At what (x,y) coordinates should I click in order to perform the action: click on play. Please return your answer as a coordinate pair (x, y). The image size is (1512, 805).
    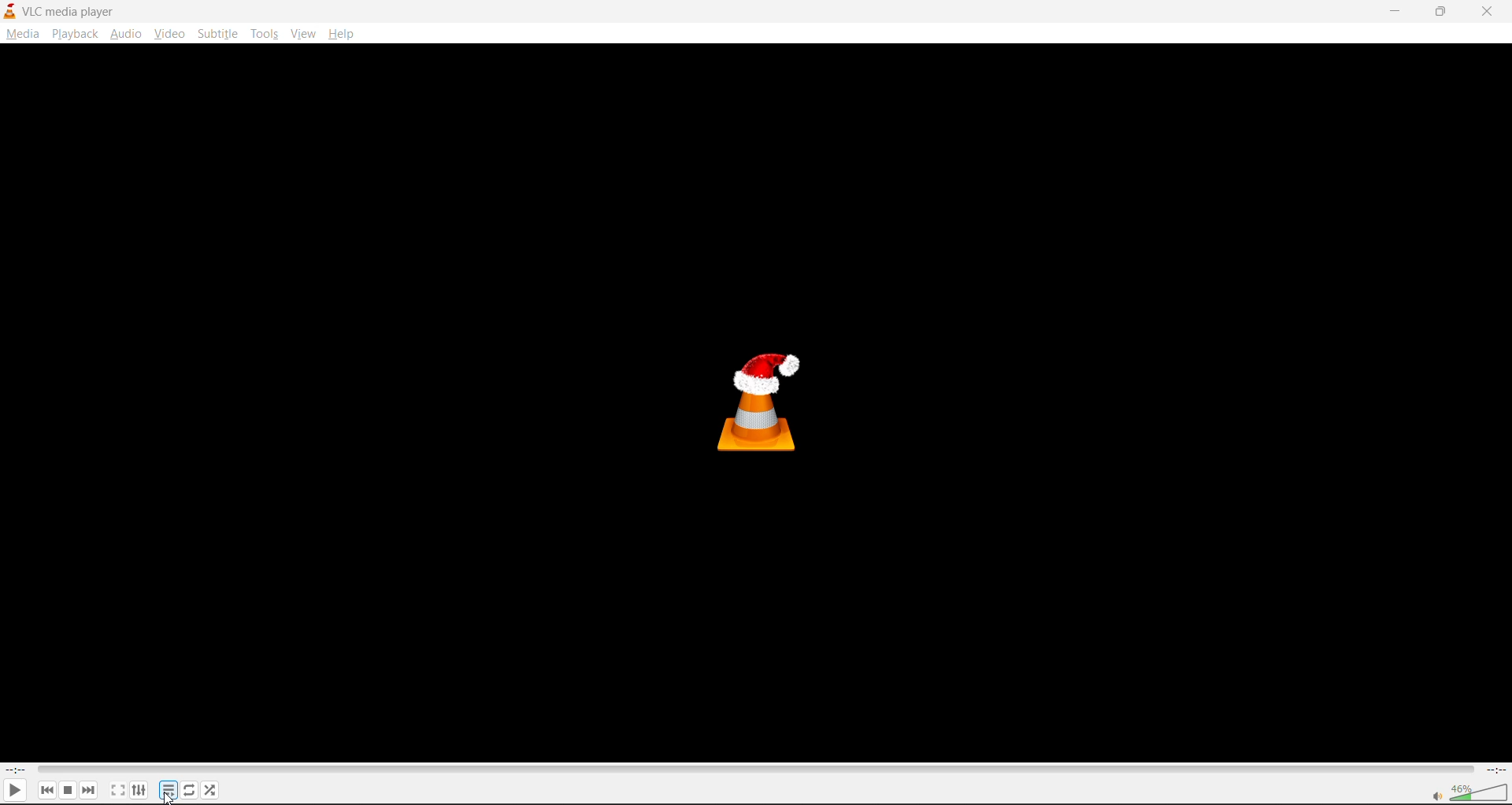
    Looking at the image, I should click on (17, 789).